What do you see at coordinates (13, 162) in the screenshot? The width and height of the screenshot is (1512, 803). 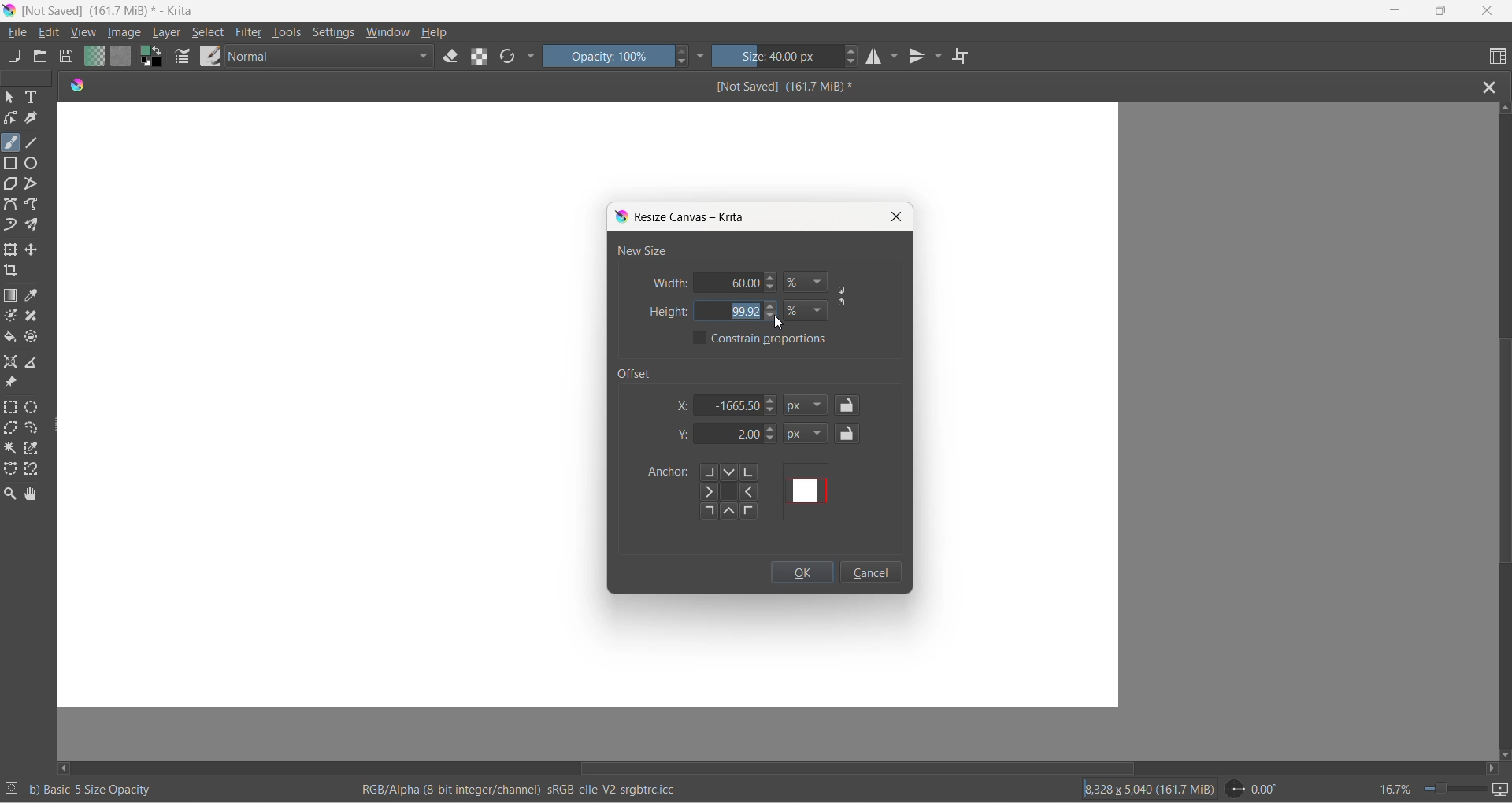 I see `rectangle tool` at bounding box center [13, 162].